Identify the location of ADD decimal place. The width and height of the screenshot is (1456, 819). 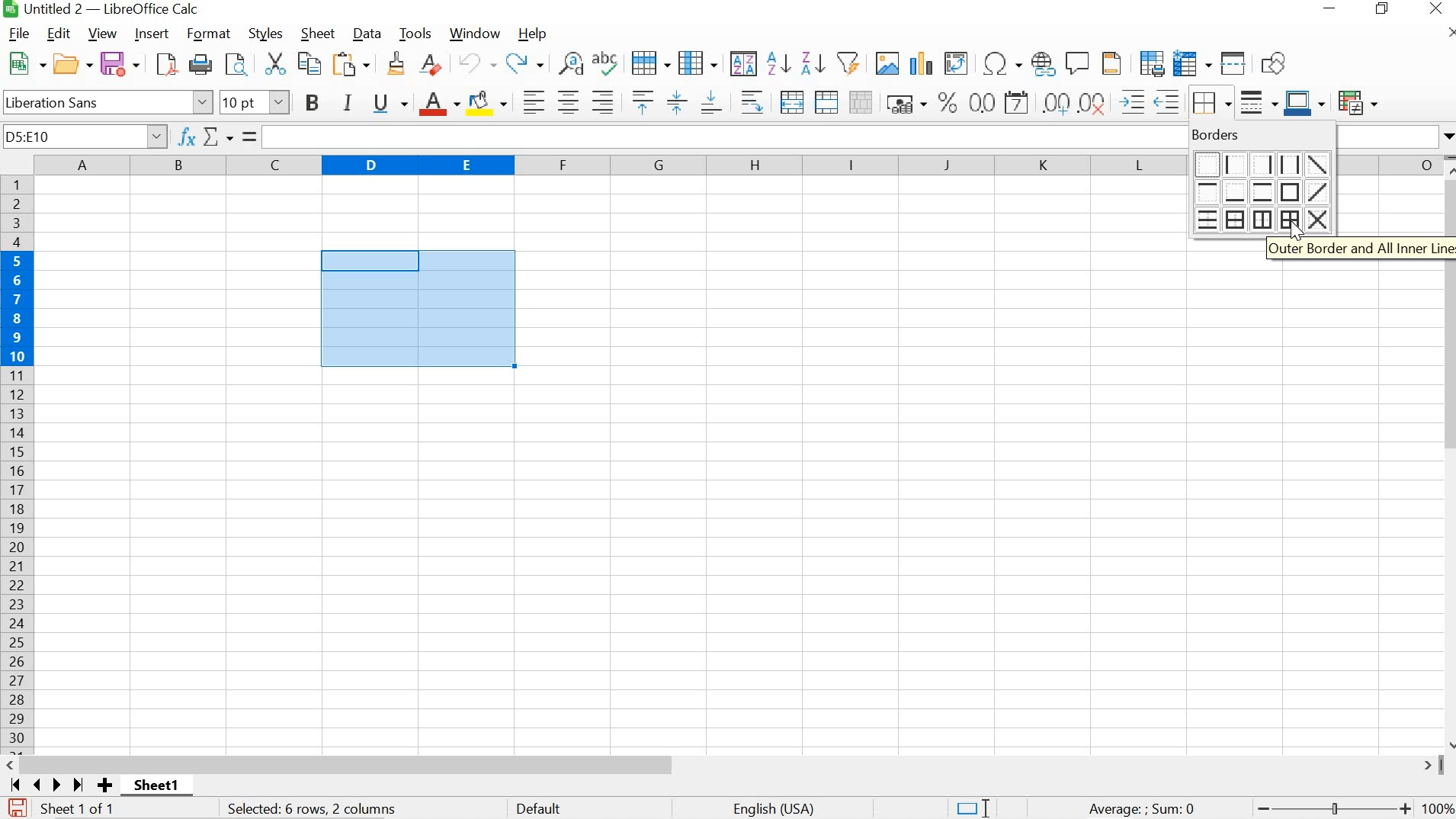
(1057, 103).